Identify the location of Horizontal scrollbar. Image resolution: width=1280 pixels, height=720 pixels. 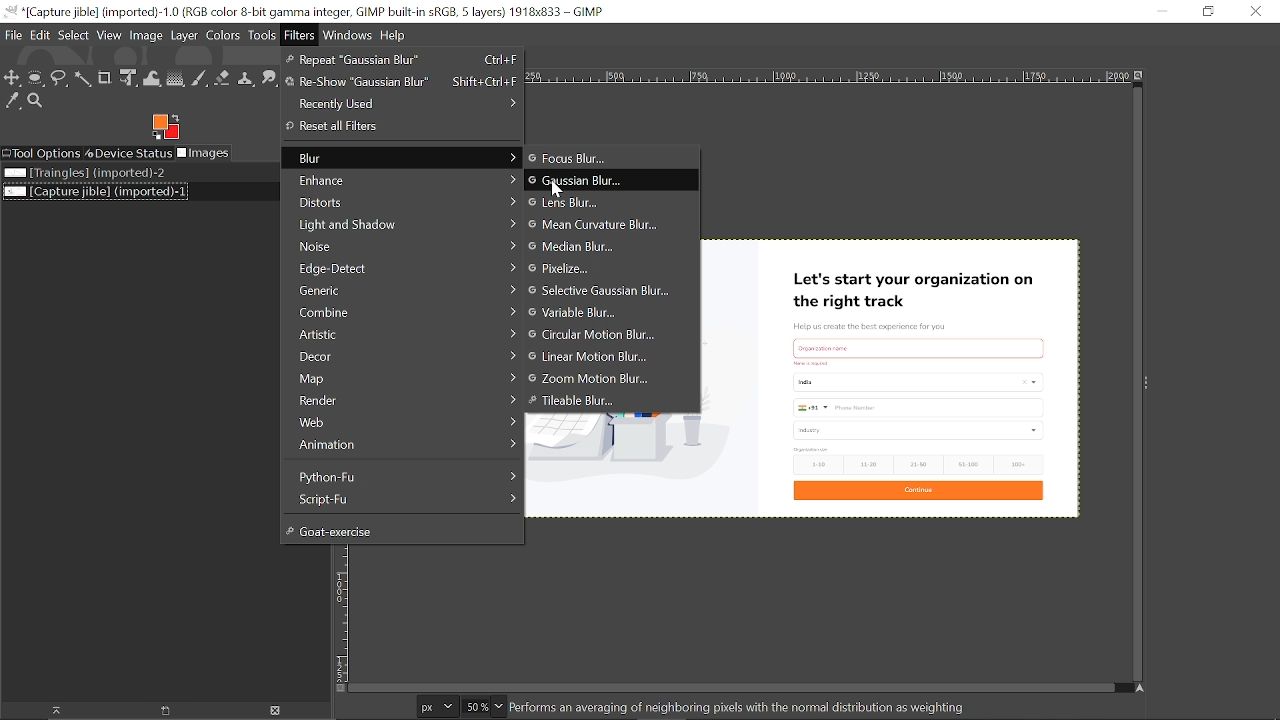
(731, 688).